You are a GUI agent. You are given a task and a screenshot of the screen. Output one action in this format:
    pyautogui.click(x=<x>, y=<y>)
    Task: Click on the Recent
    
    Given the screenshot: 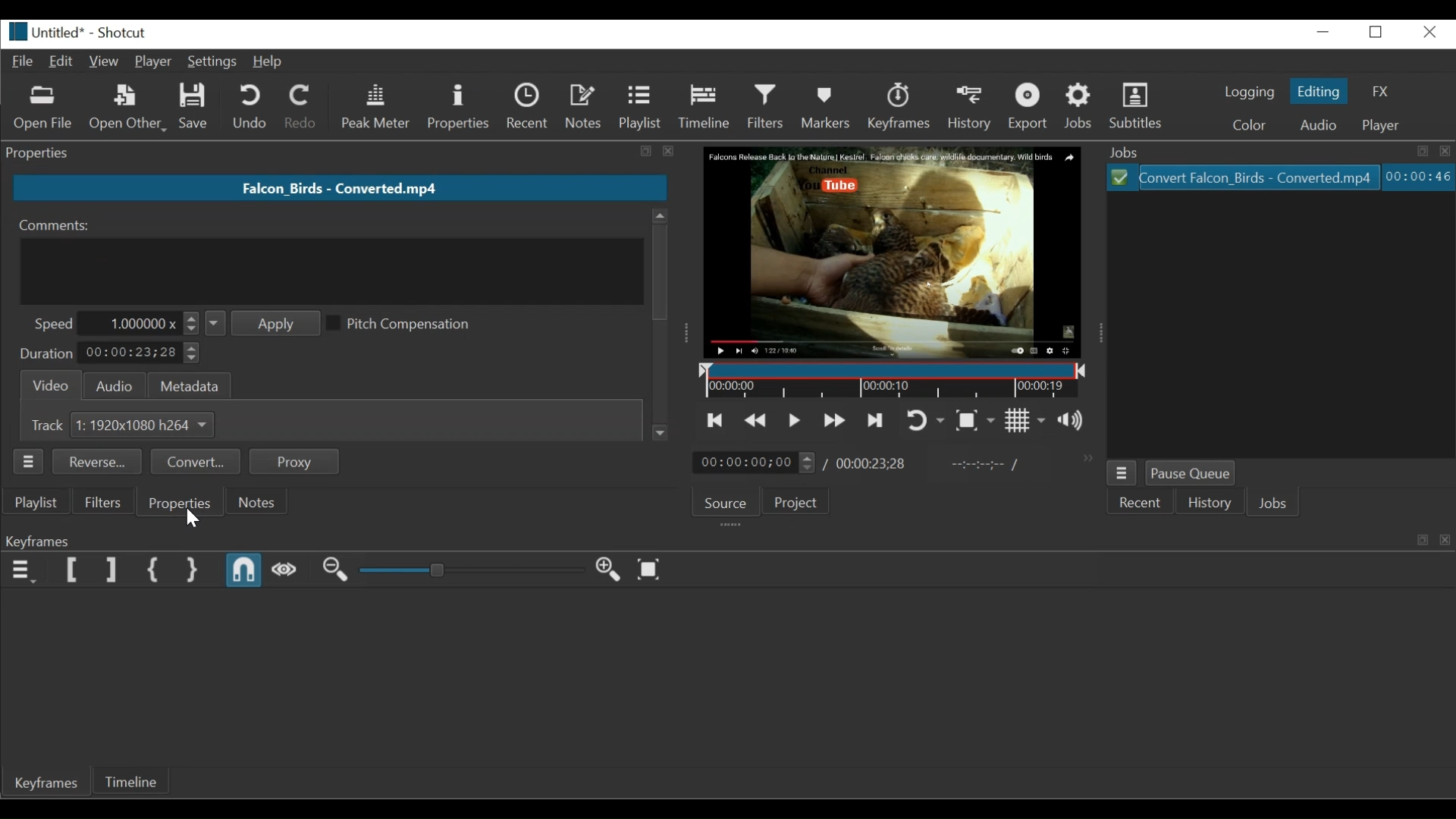 What is the action you would take?
    pyautogui.click(x=526, y=108)
    